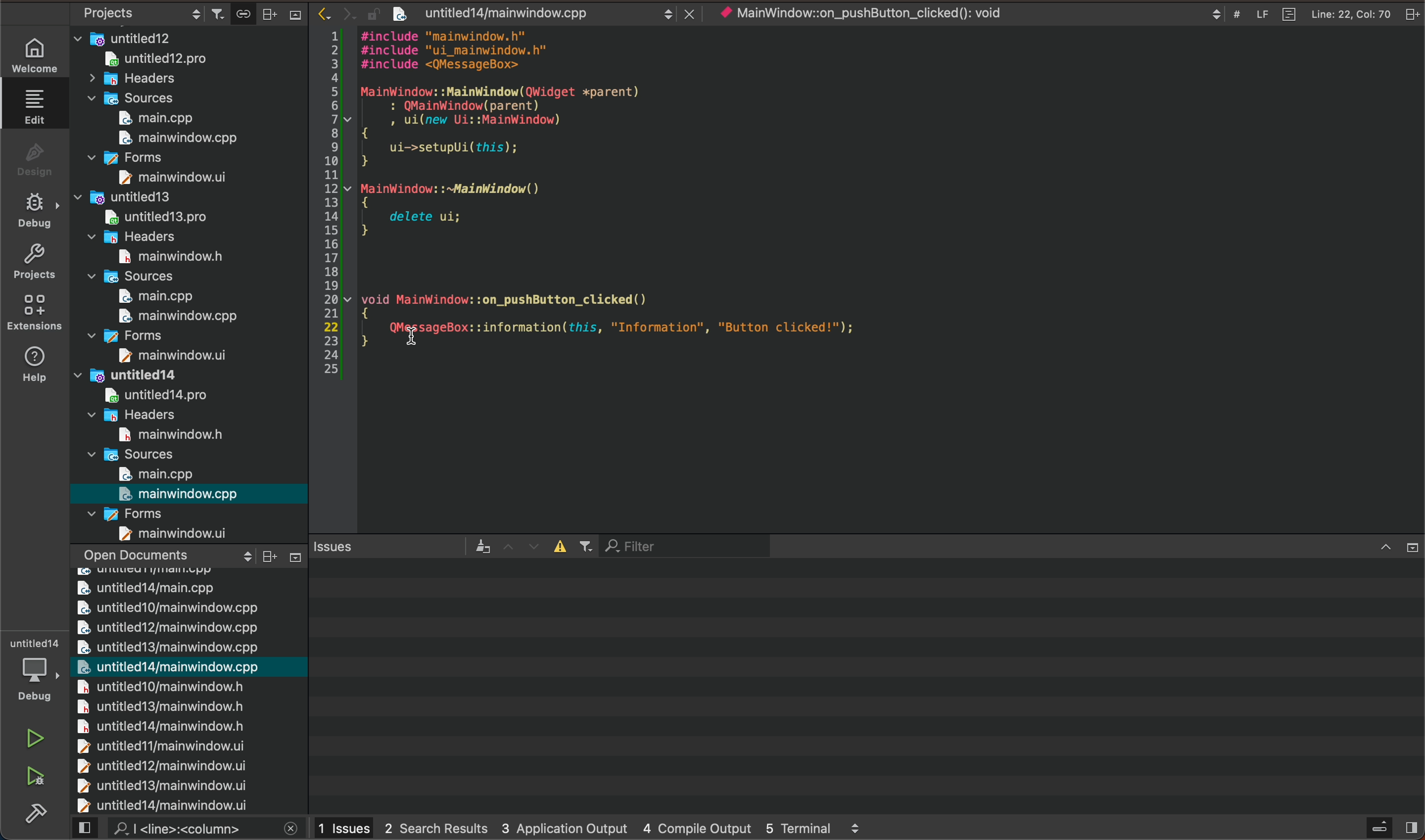 The width and height of the screenshot is (1425, 840). Describe the element at coordinates (144, 393) in the screenshot. I see `untitled14 pro` at that location.